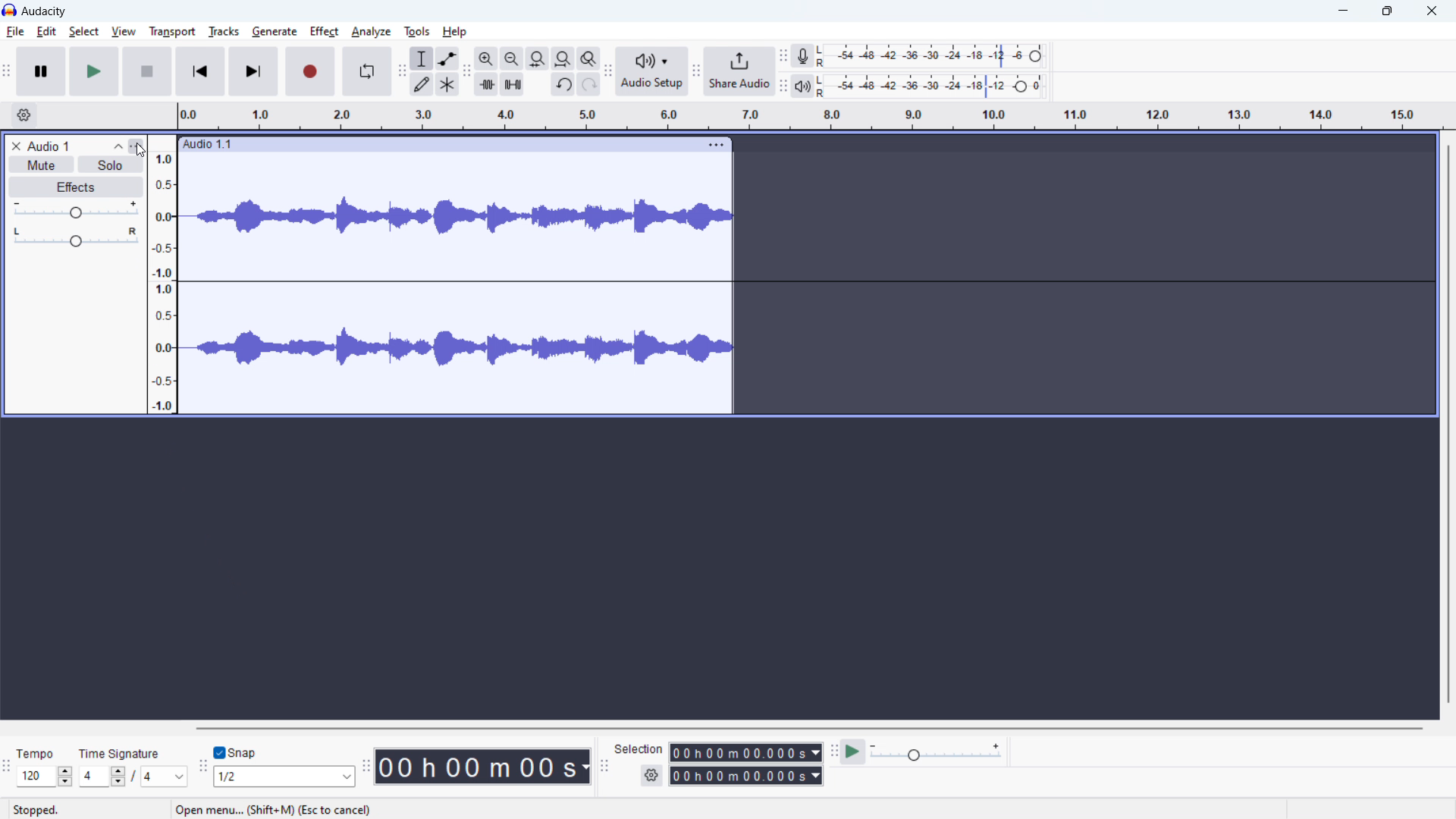 The width and height of the screenshot is (1456, 819). What do you see at coordinates (714, 145) in the screenshot?
I see `track options` at bounding box center [714, 145].